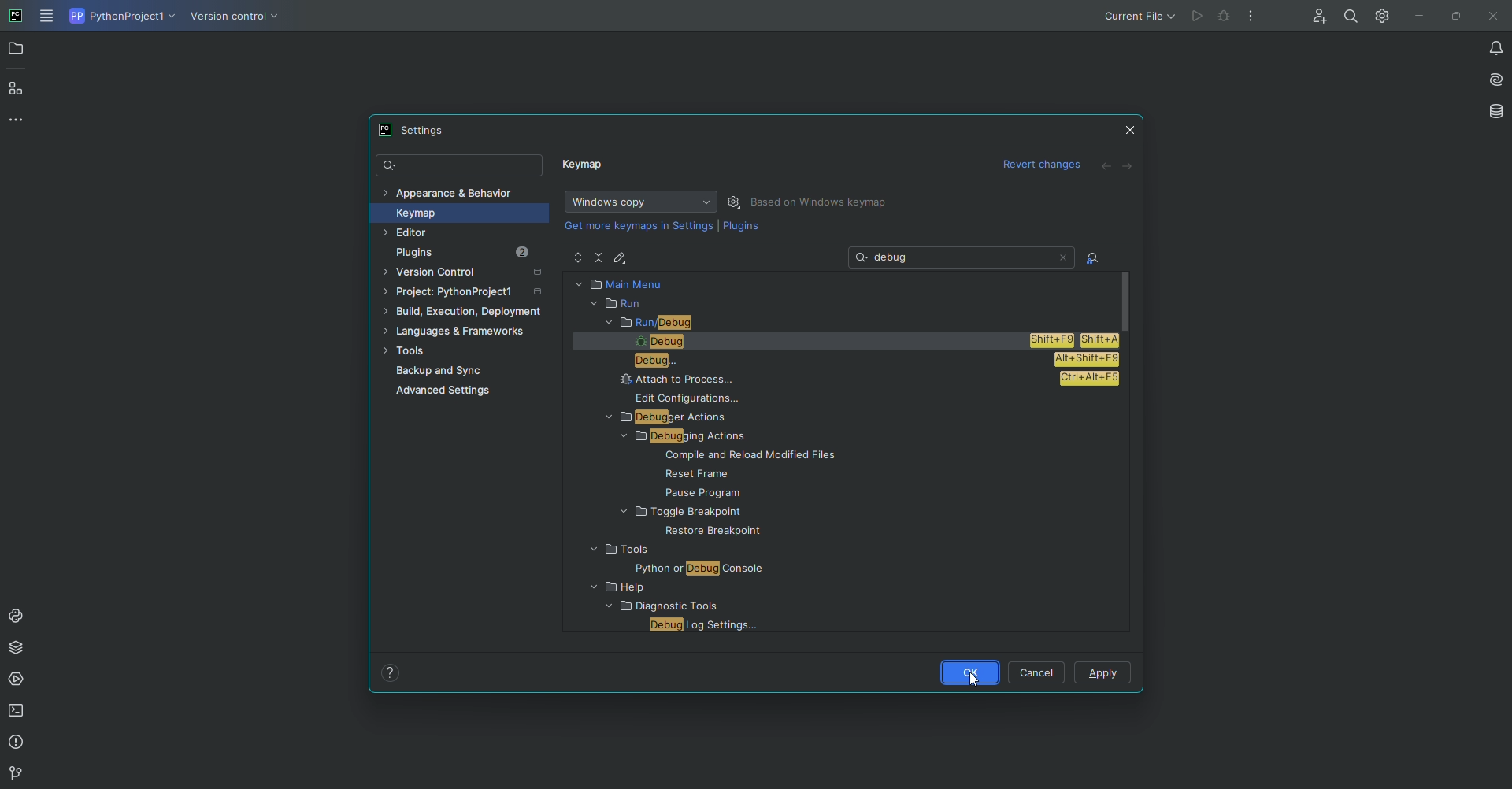 Image resolution: width=1512 pixels, height=789 pixels. I want to click on FILE NAME, so click(736, 492).